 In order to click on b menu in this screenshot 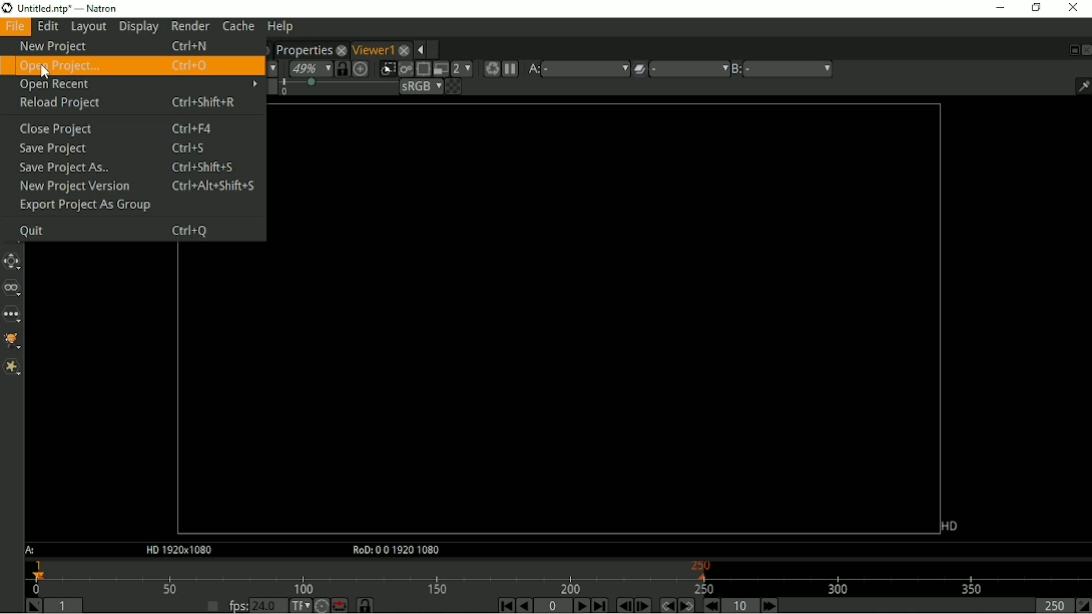, I will do `click(789, 69)`.